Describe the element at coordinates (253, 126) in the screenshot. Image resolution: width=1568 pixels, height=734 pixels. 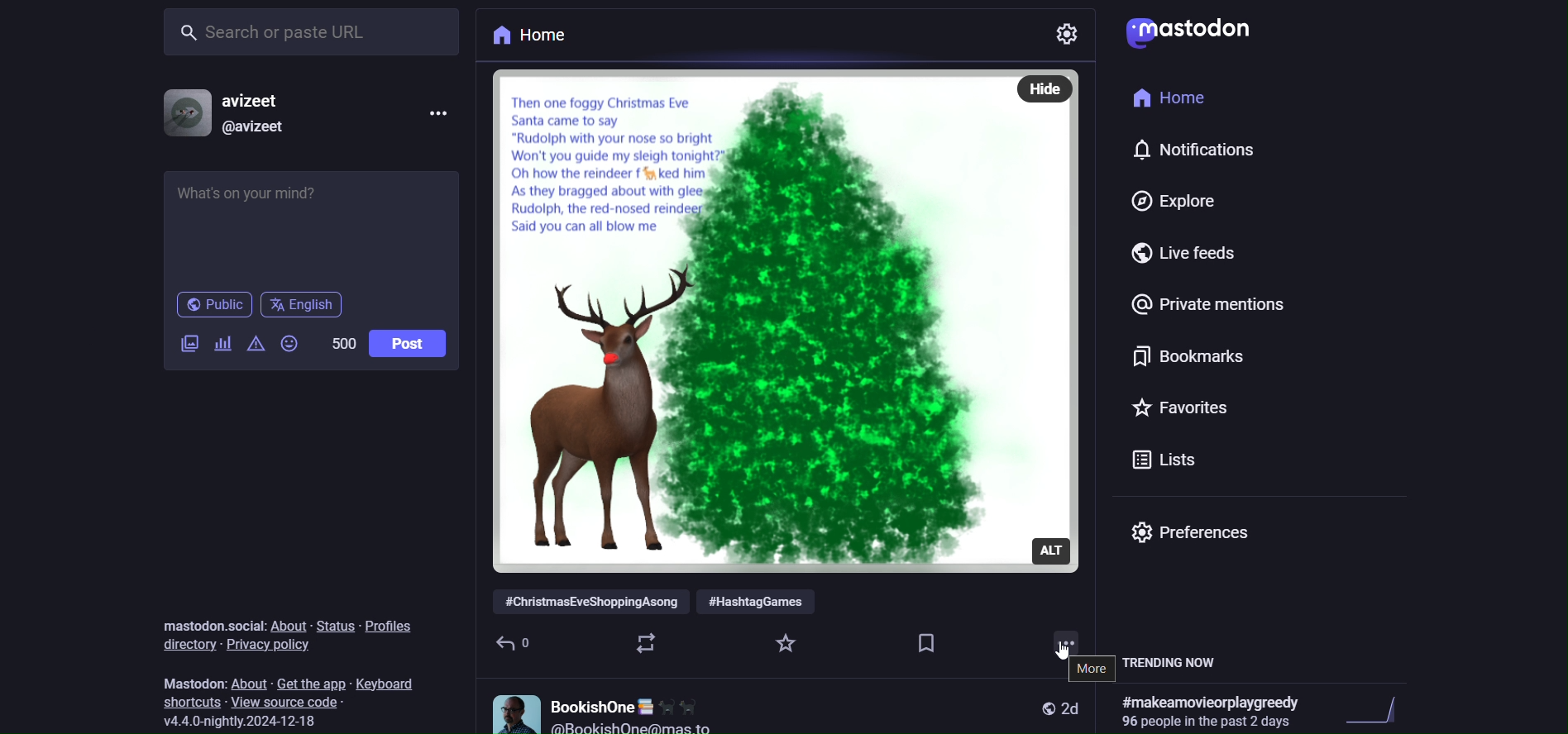
I see `@avizeet` at that location.